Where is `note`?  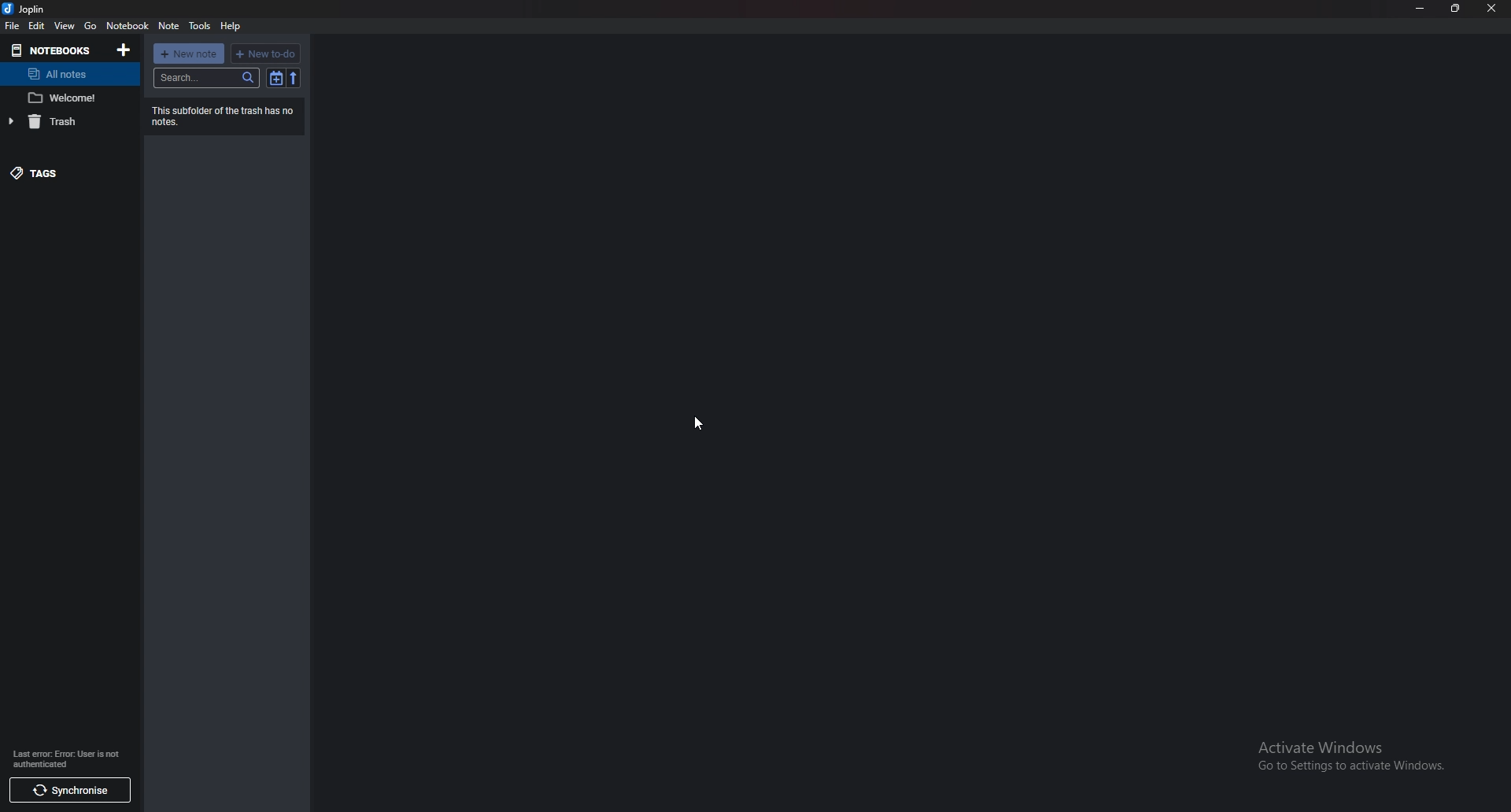 note is located at coordinates (168, 25).